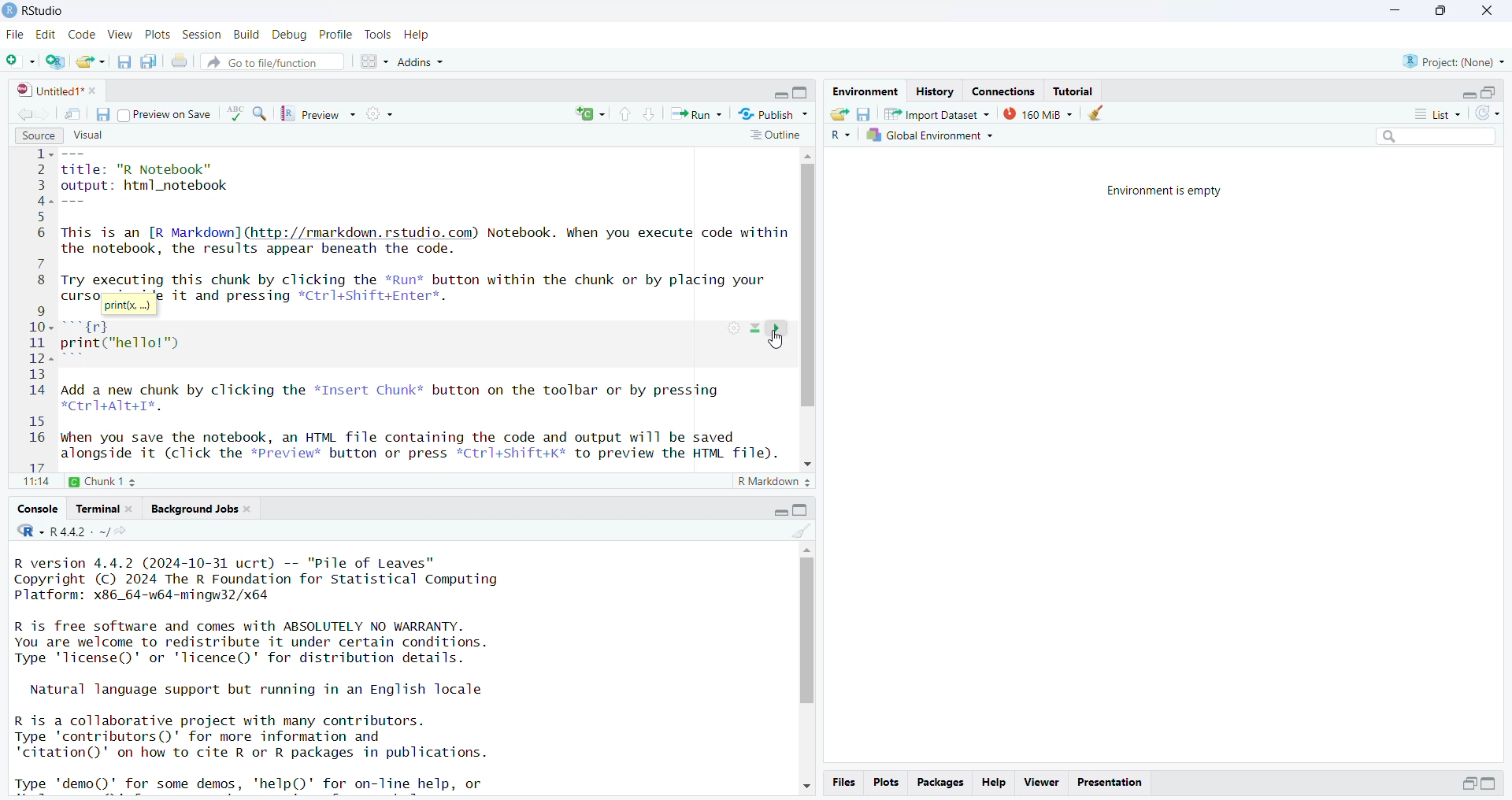  What do you see at coordinates (57, 91) in the screenshot?
I see `untitled1` at bounding box center [57, 91].